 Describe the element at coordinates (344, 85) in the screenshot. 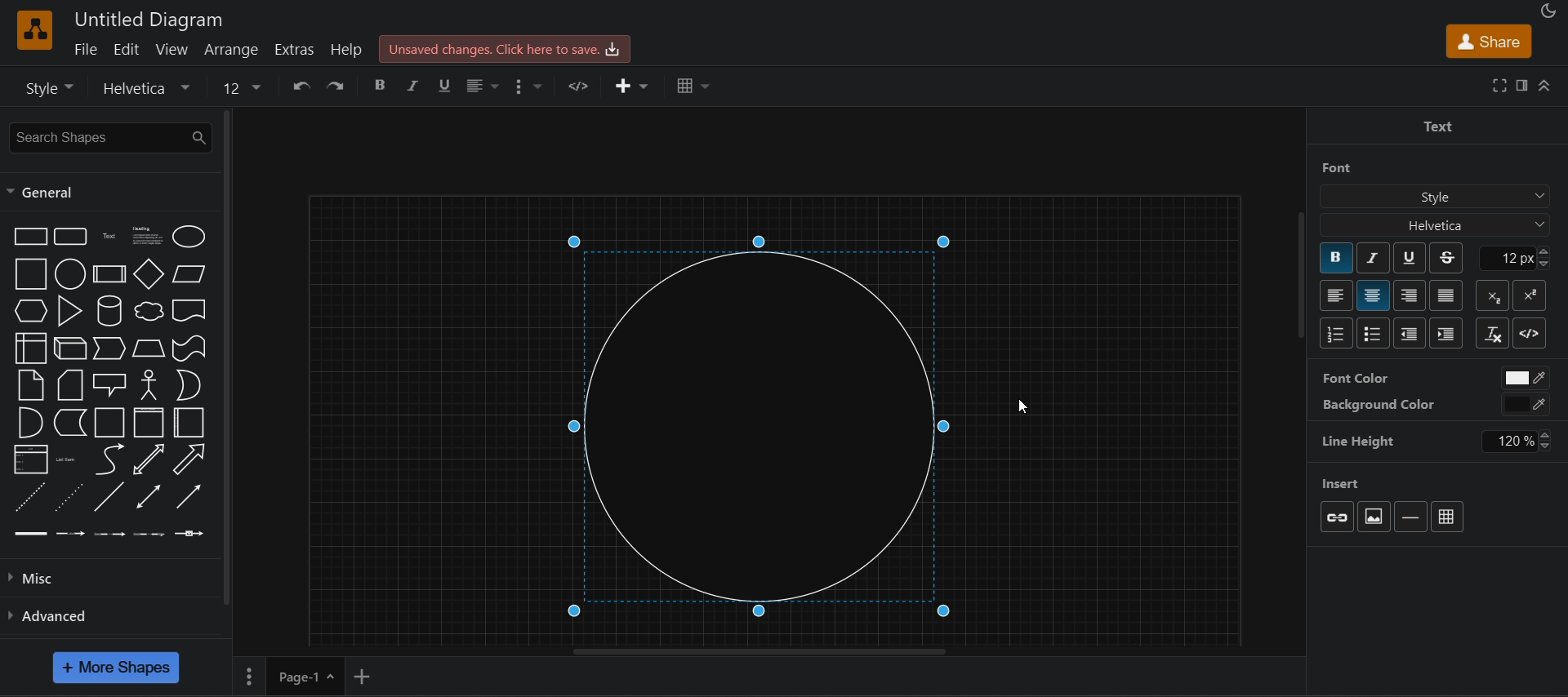

I see `redo` at that location.